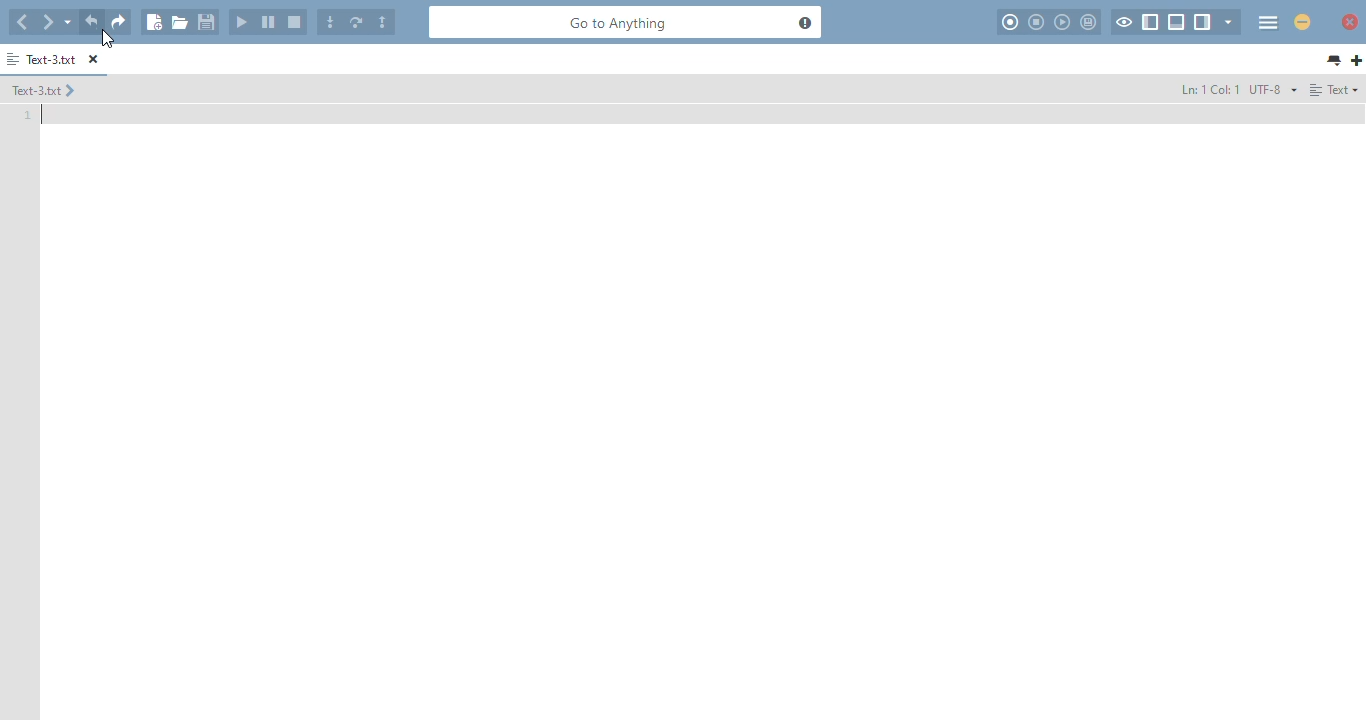 The height and width of the screenshot is (720, 1366). What do you see at coordinates (1150, 22) in the screenshot?
I see `show/hide left pane` at bounding box center [1150, 22].